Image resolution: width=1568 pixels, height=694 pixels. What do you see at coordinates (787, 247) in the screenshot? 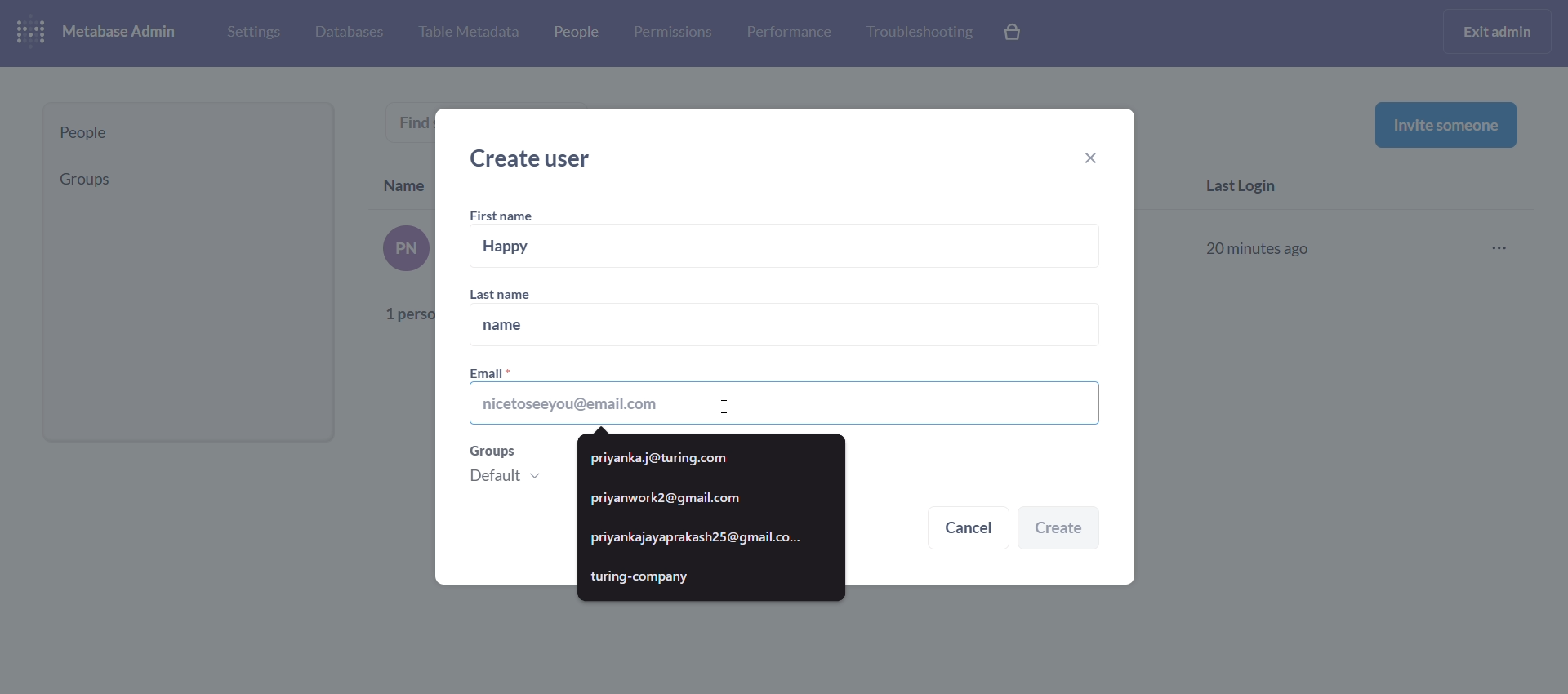
I see `happy` at bounding box center [787, 247].